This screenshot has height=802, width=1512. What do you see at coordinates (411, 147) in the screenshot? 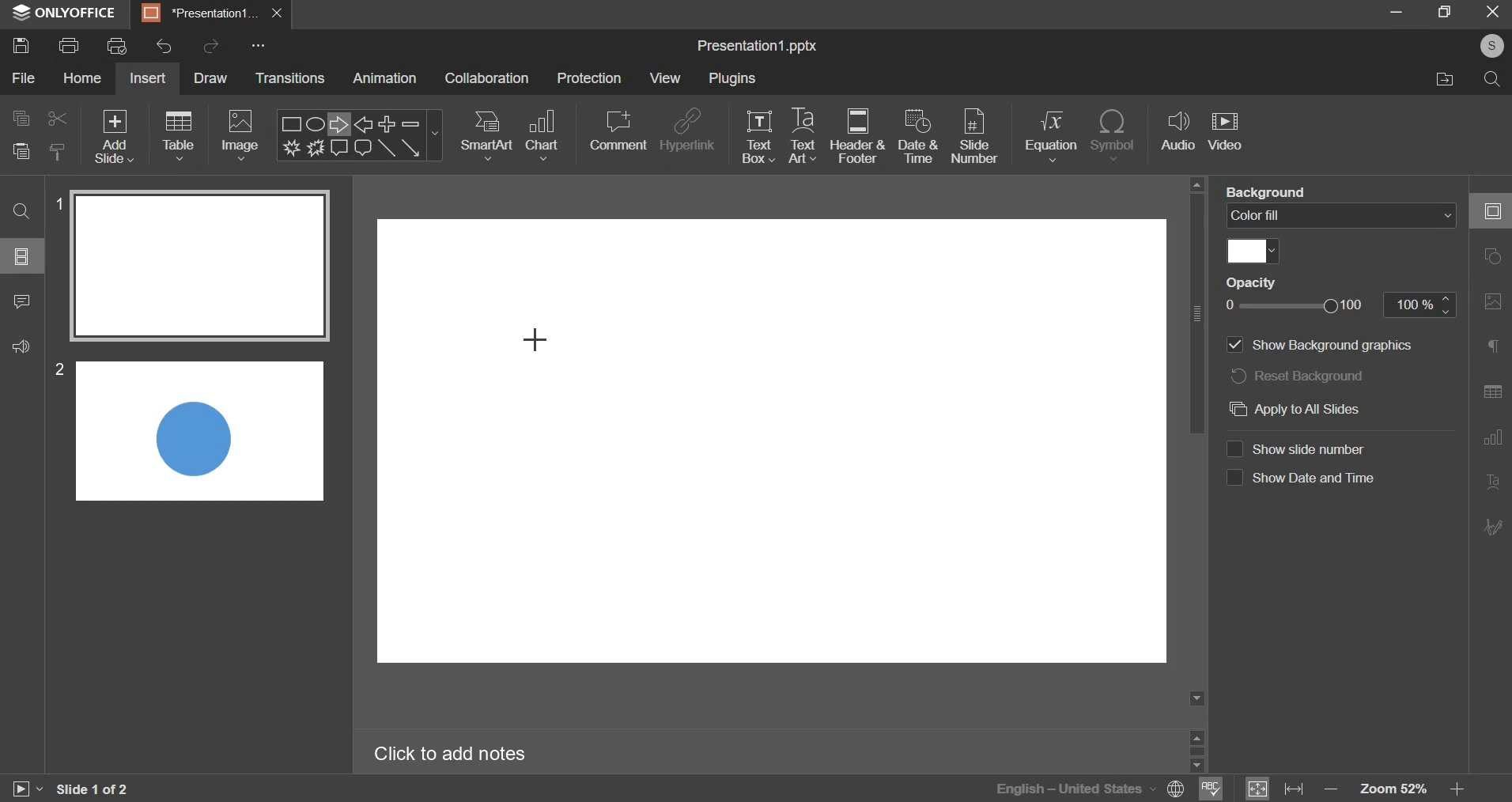
I see `Arrow` at bounding box center [411, 147].